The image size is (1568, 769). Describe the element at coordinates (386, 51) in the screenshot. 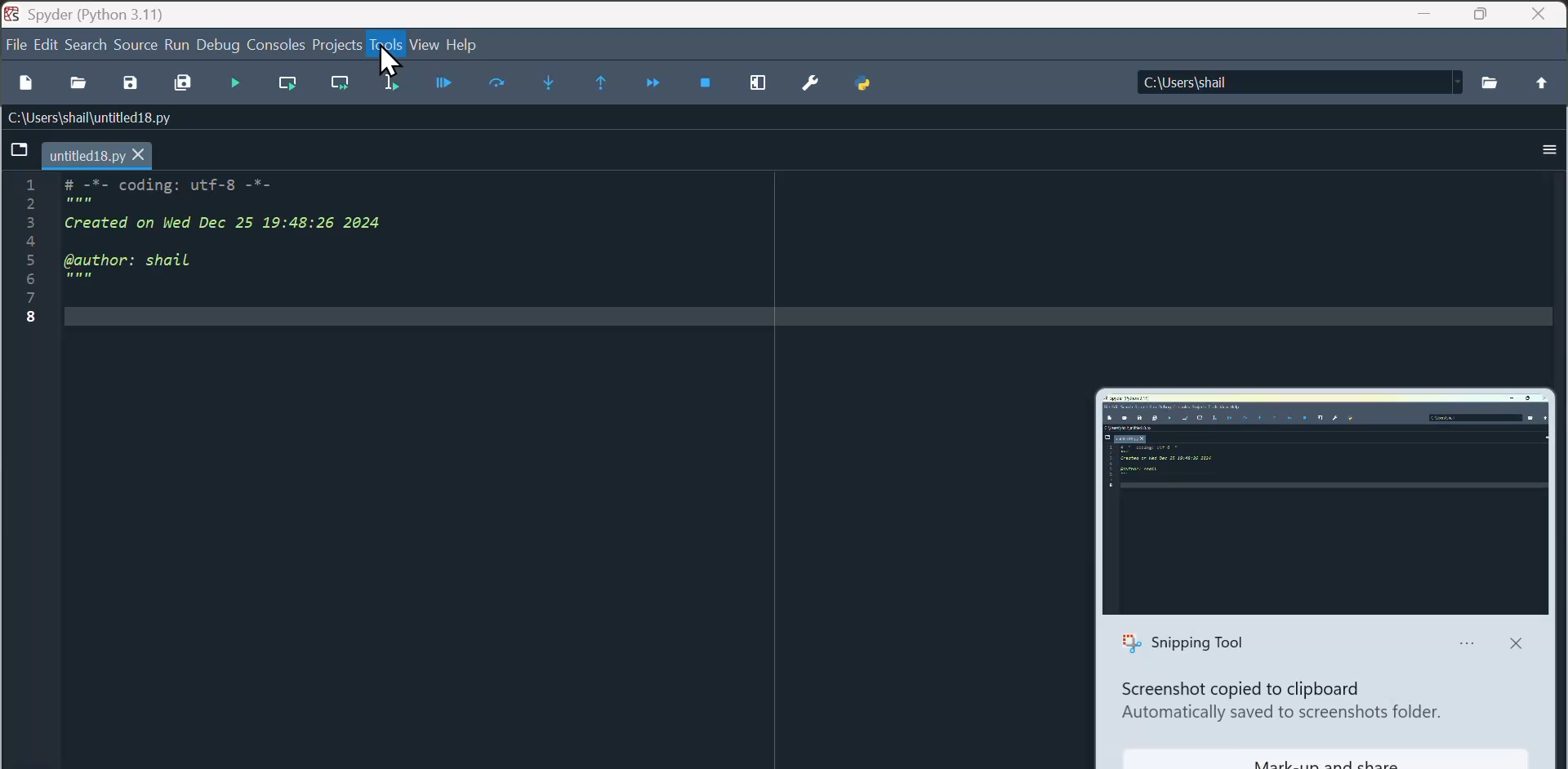

I see `Tools` at that location.